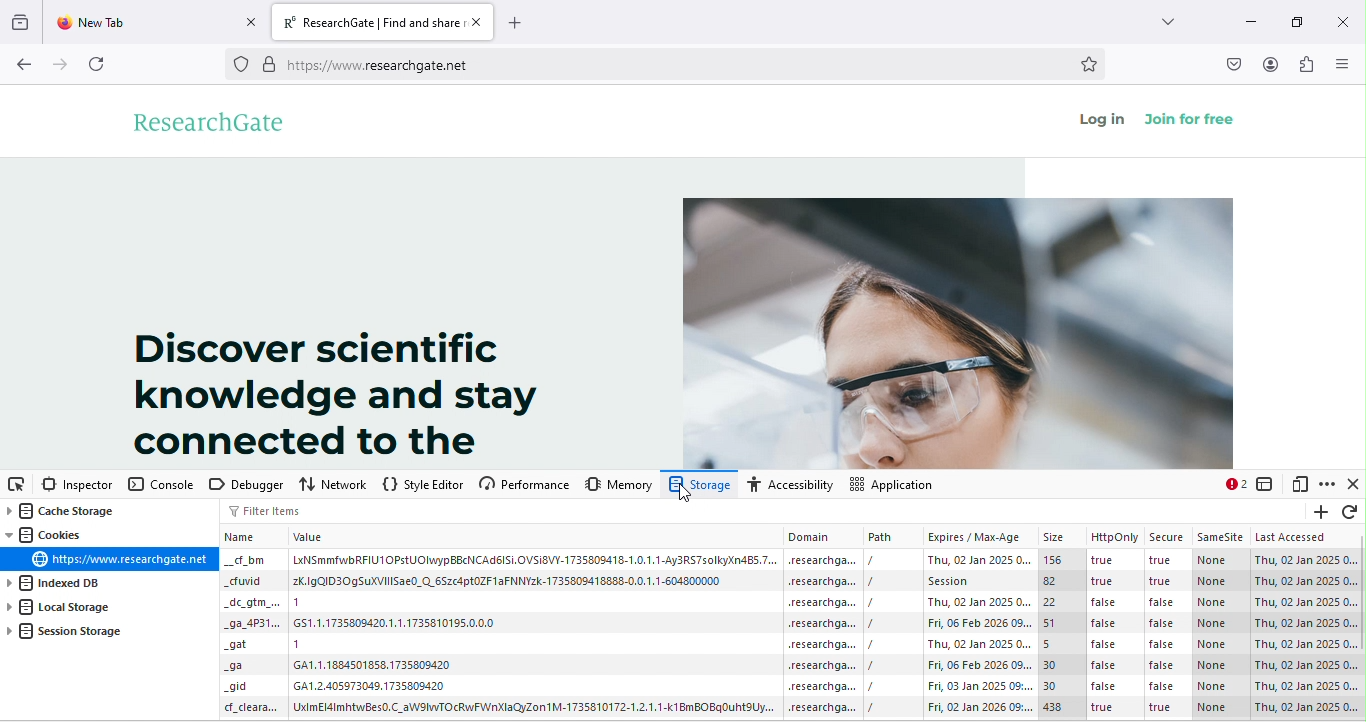 Image resolution: width=1366 pixels, height=722 pixels. I want to click on value, so click(534, 560).